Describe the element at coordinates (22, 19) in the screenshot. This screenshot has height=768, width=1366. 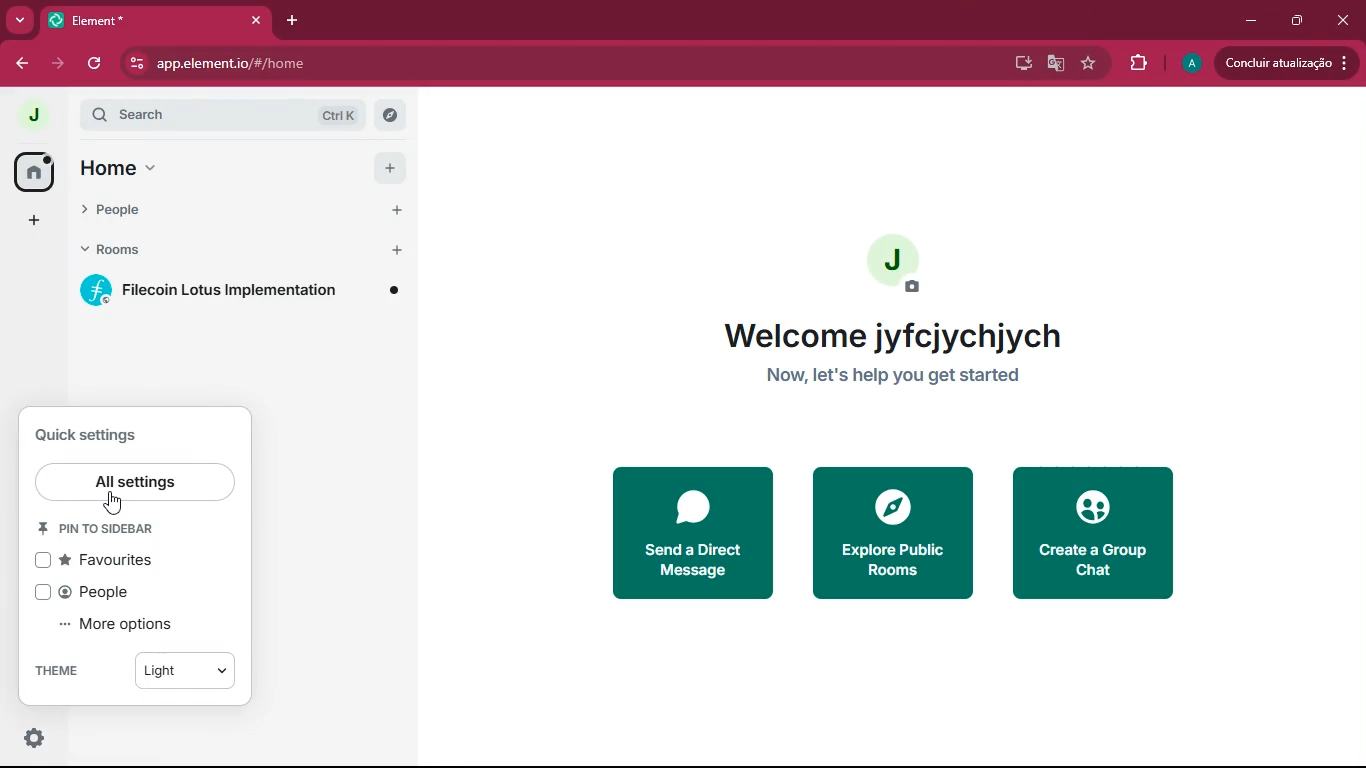
I see `more` at that location.